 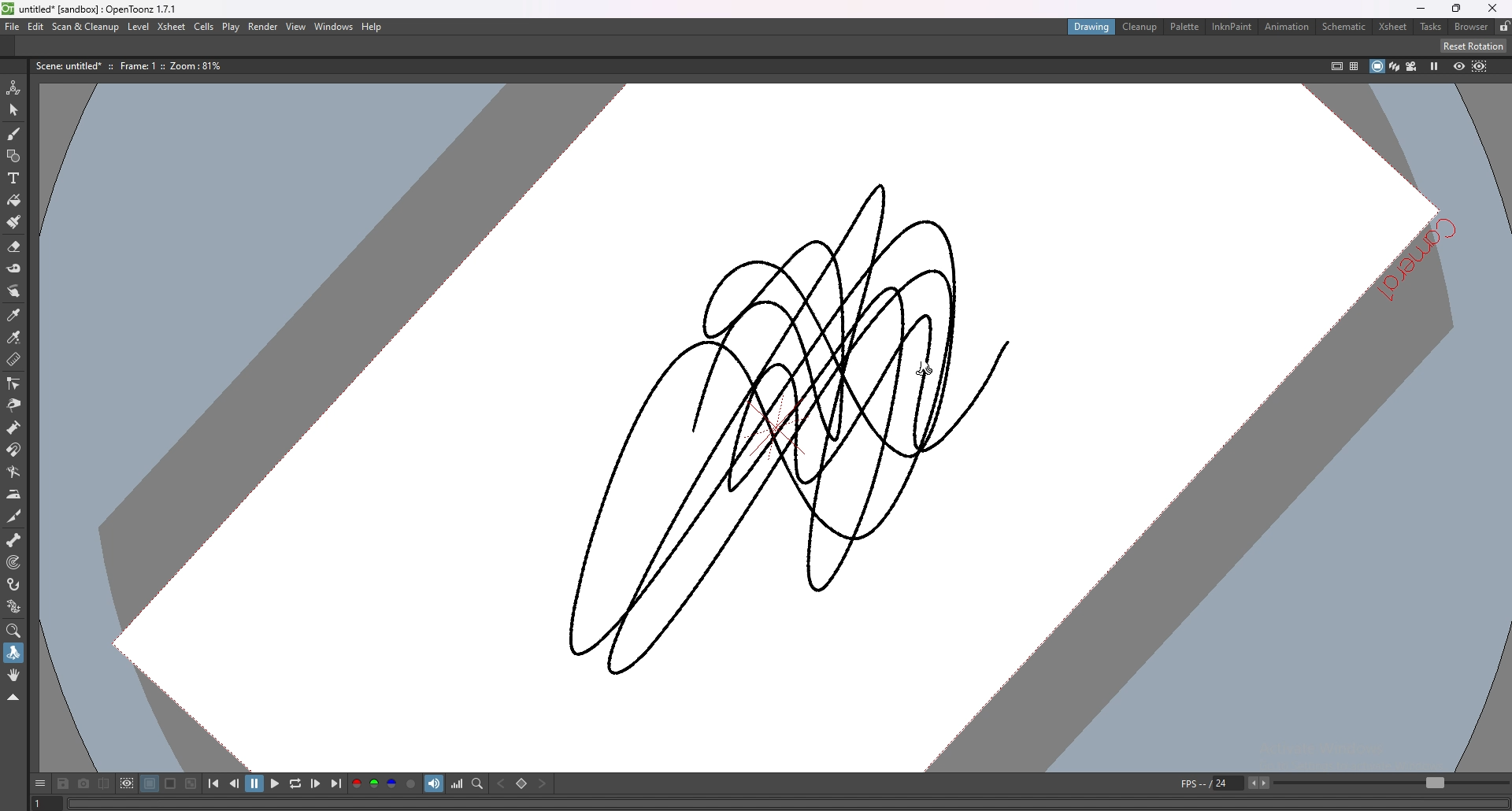 I want to click on description, so click(x=131, y=66).